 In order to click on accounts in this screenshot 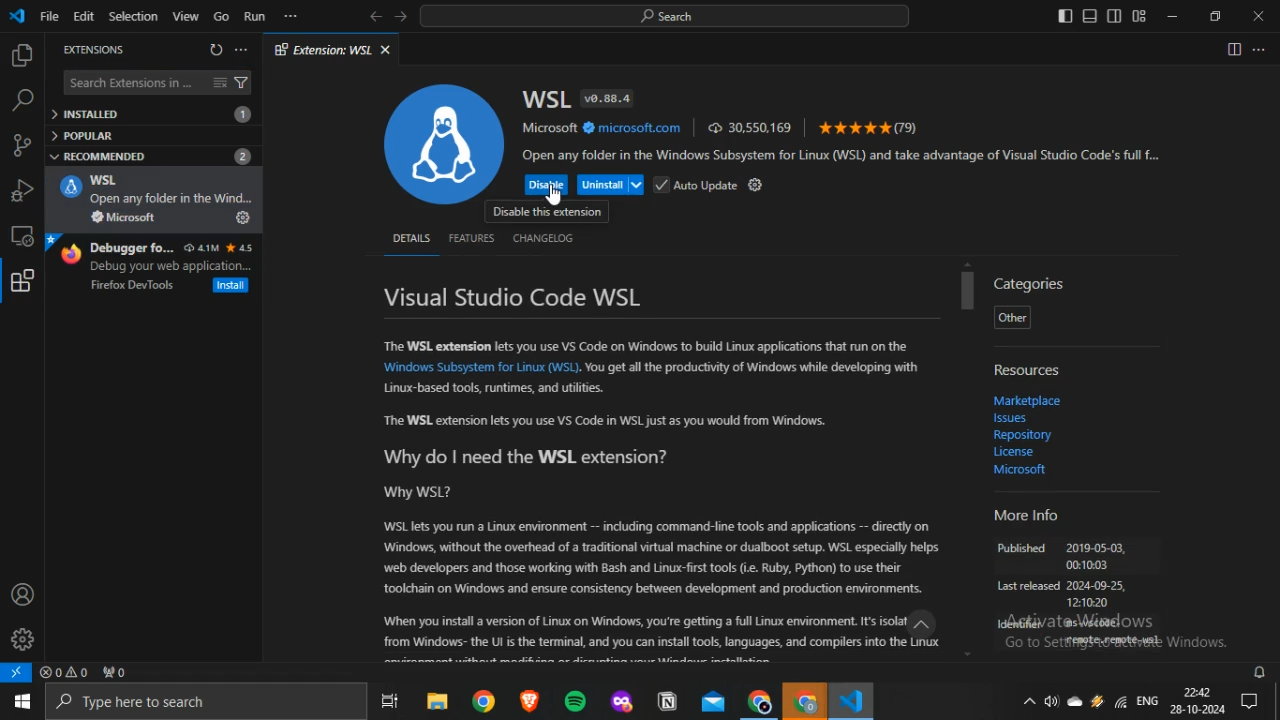, I will do `click(23, 594)`.